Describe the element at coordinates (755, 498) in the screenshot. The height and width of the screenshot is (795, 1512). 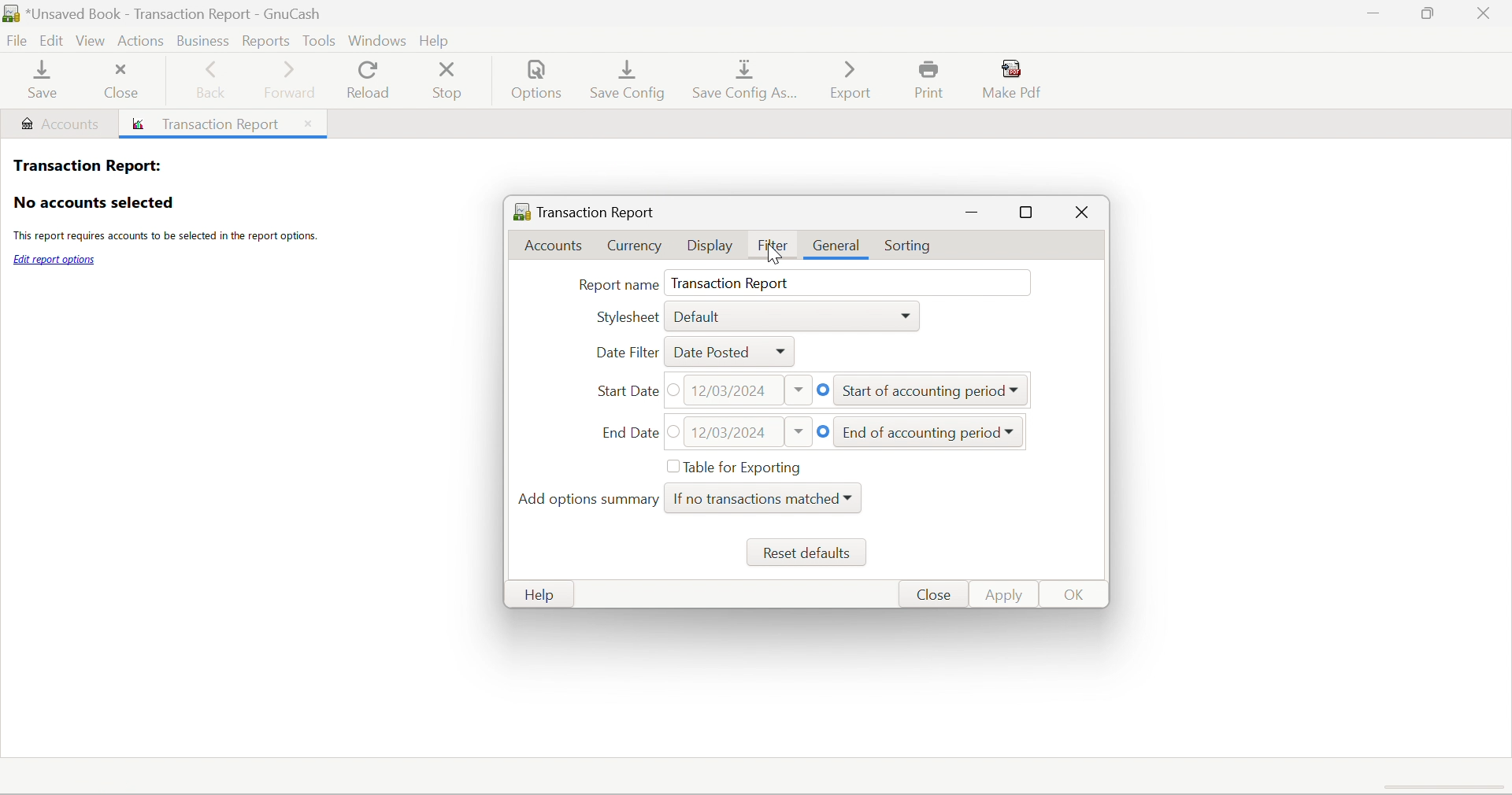
I see `If no transactions matched` at that location.